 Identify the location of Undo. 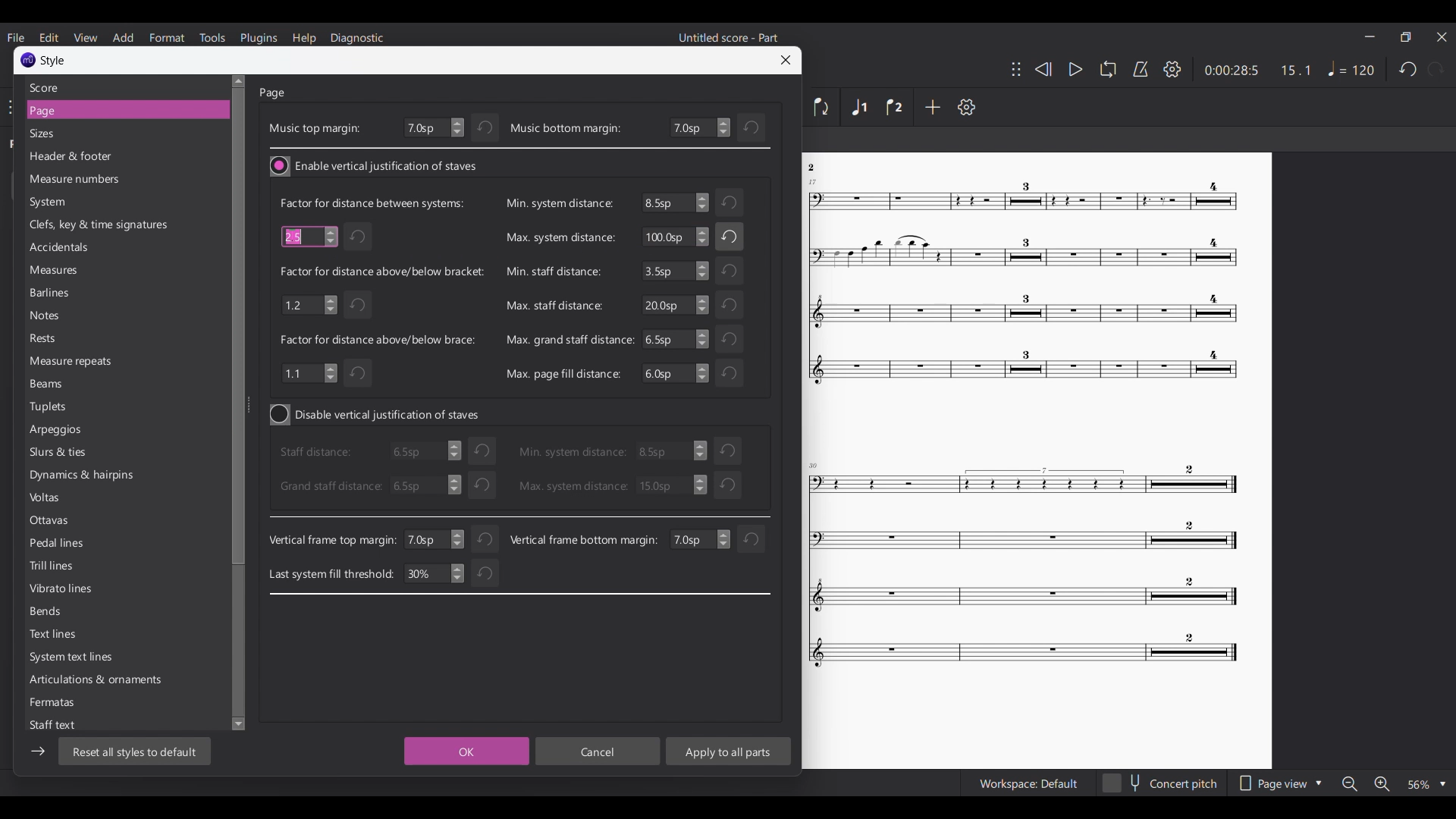
(359, 304).